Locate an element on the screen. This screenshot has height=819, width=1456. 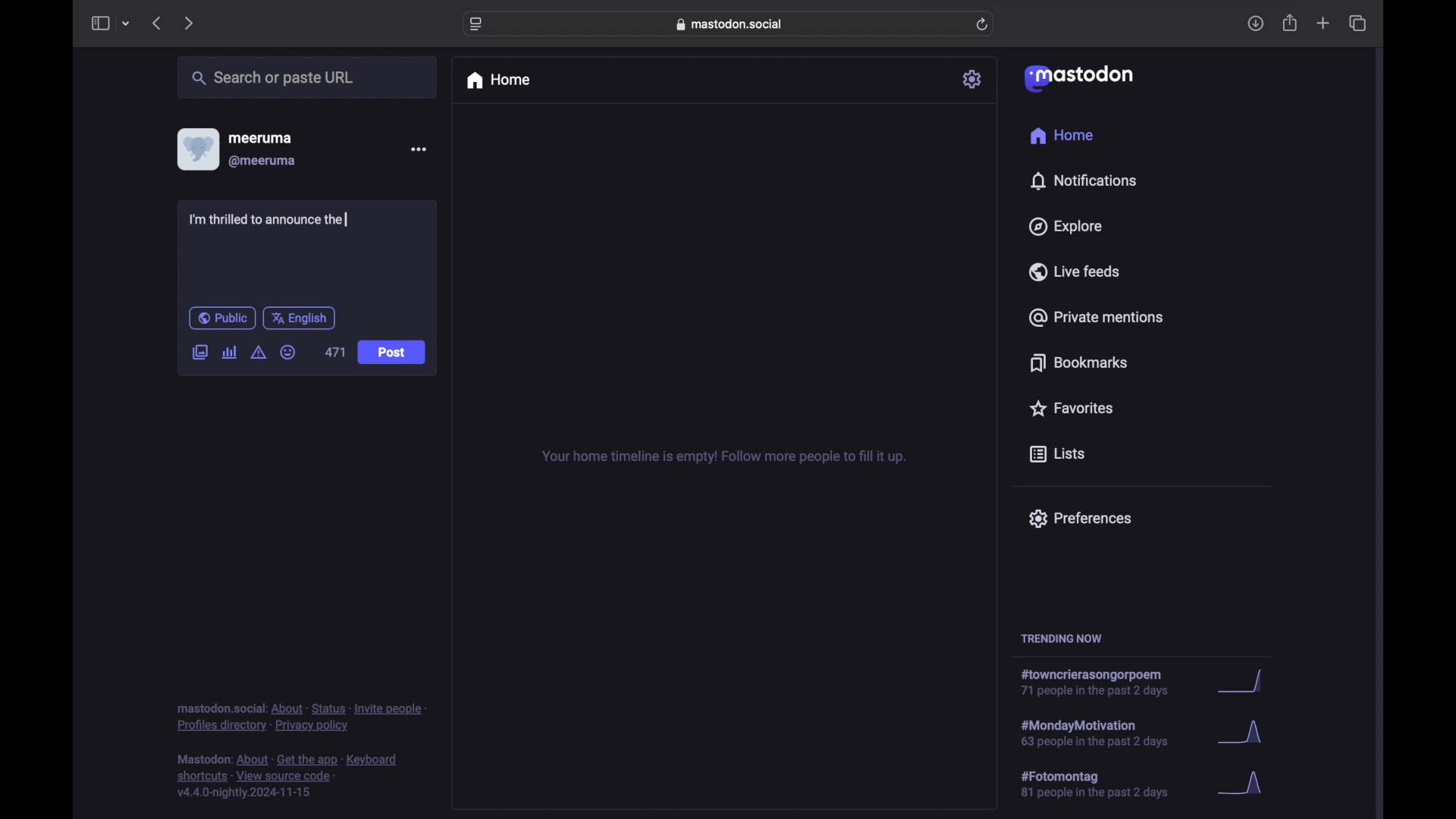
share or paste url is located at coordinates (273, 77).